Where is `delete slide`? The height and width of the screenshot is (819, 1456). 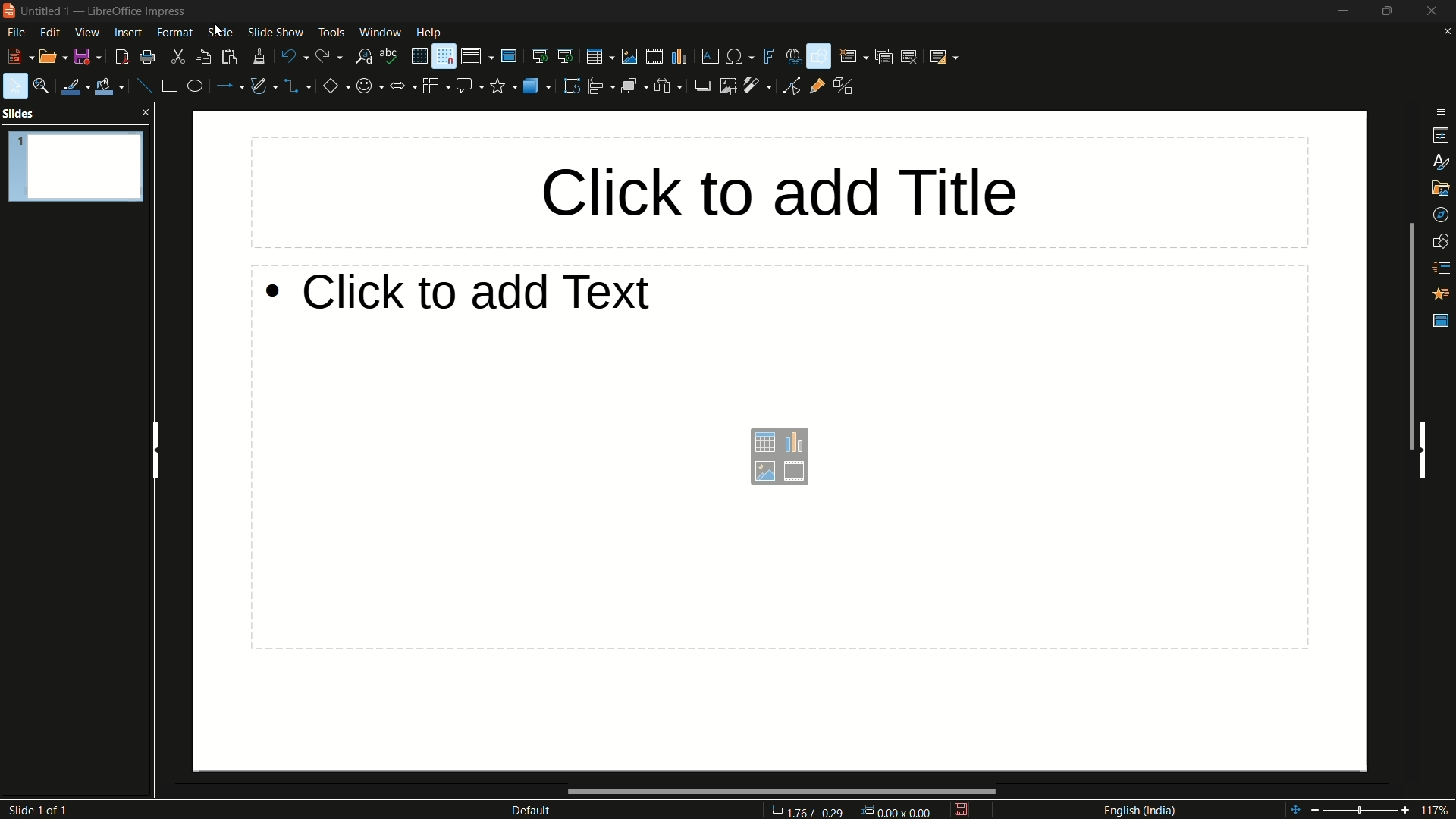
delete slide is located at coordinates (908, 55).